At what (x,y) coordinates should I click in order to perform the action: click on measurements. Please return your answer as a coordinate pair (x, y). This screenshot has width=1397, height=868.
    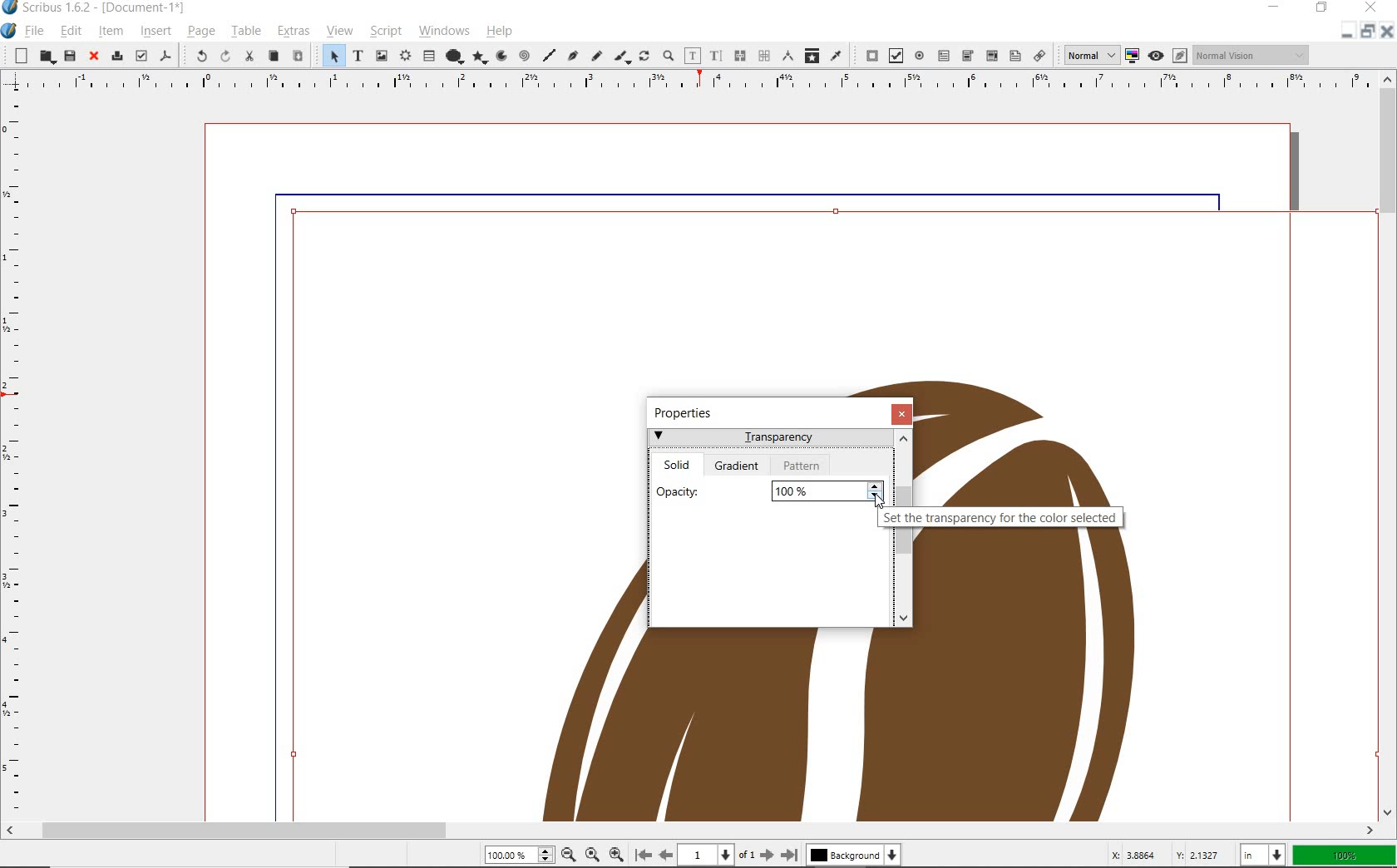
    Looking at the image, I should click on (789, 56).